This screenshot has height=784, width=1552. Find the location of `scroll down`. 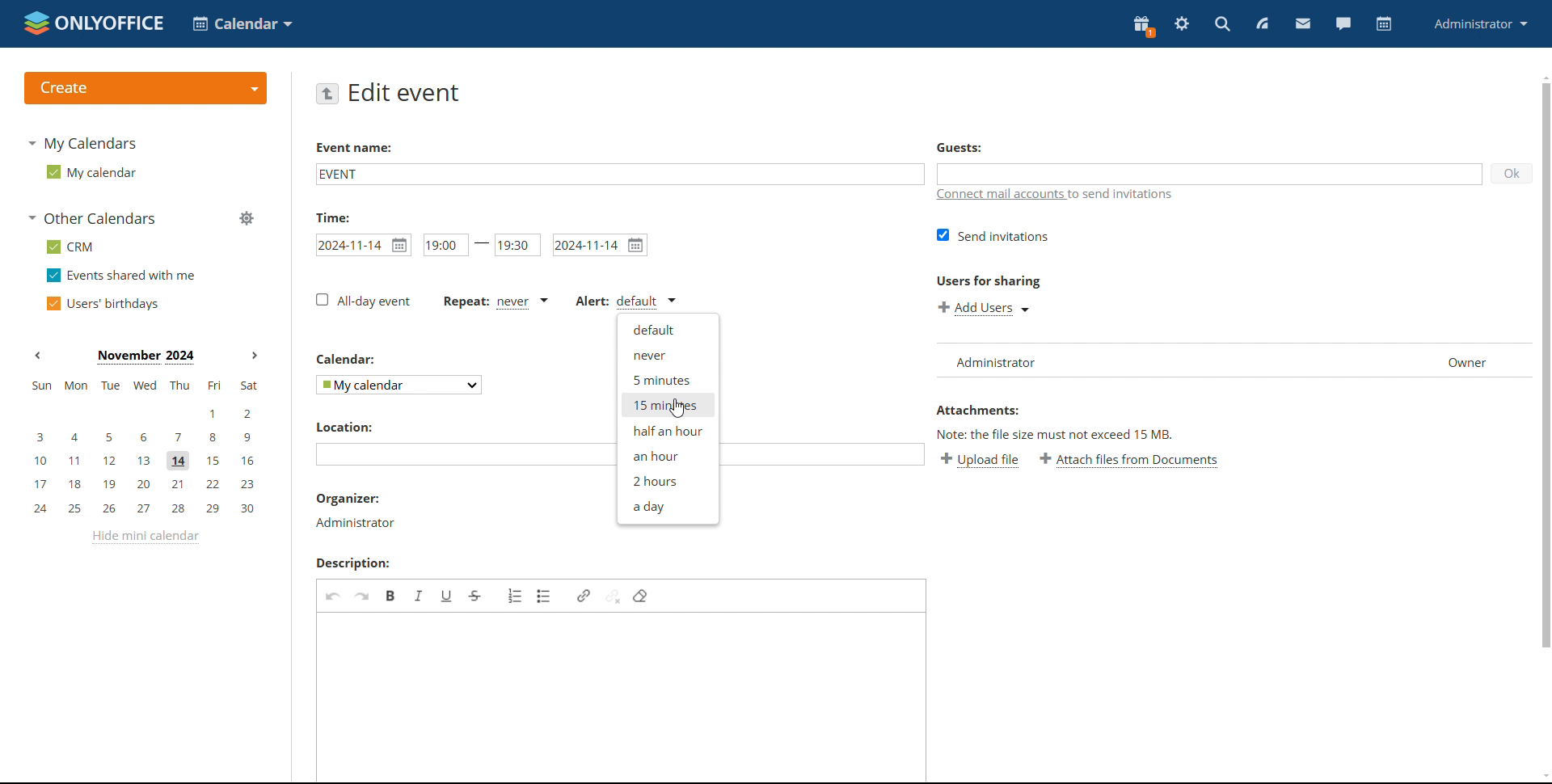

scroll down is located at coordinates (1542, 776).